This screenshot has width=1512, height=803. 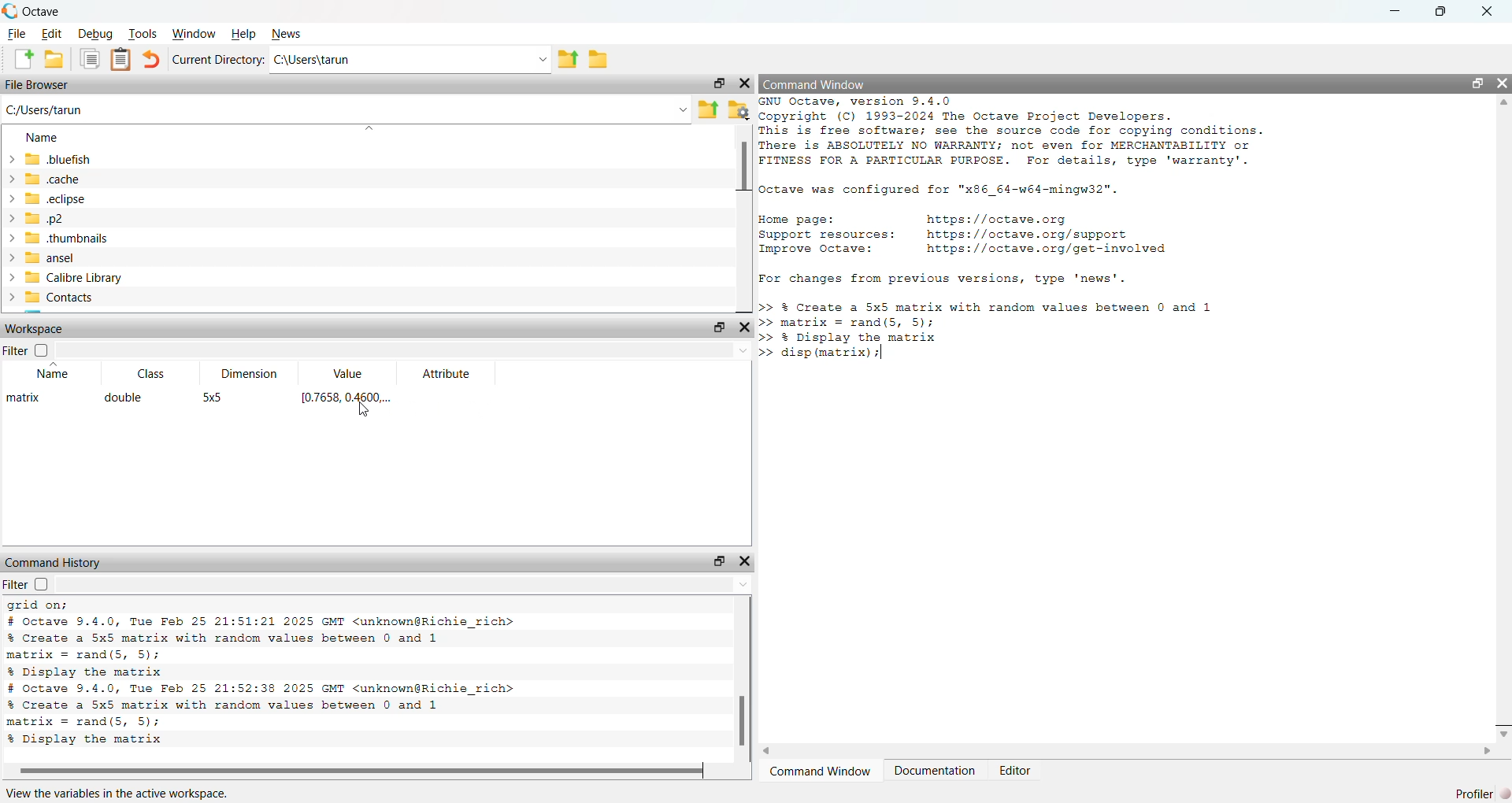 I want to click on GNU Octave, version 9.4.0

Copyright (C) 1993-2024 The Octave Project Developers.

This is free software; see the source code for copying conditions.
There is ABSOLUTELY NO WARRANTY; not even for MERCHANTABILITY or
FITNESS FOR A PARTICULAR PURPOSE. For details, type 'warranty'.
Octave was configured for "x86_64-w64-mingw32".

Home page: https: //octave.org

Support resources: https: //octave.org/support

Improve Octave: https: //octave.org/get-involved

For changes from previous versions, type 'news'., so click(x=1019, y=195).